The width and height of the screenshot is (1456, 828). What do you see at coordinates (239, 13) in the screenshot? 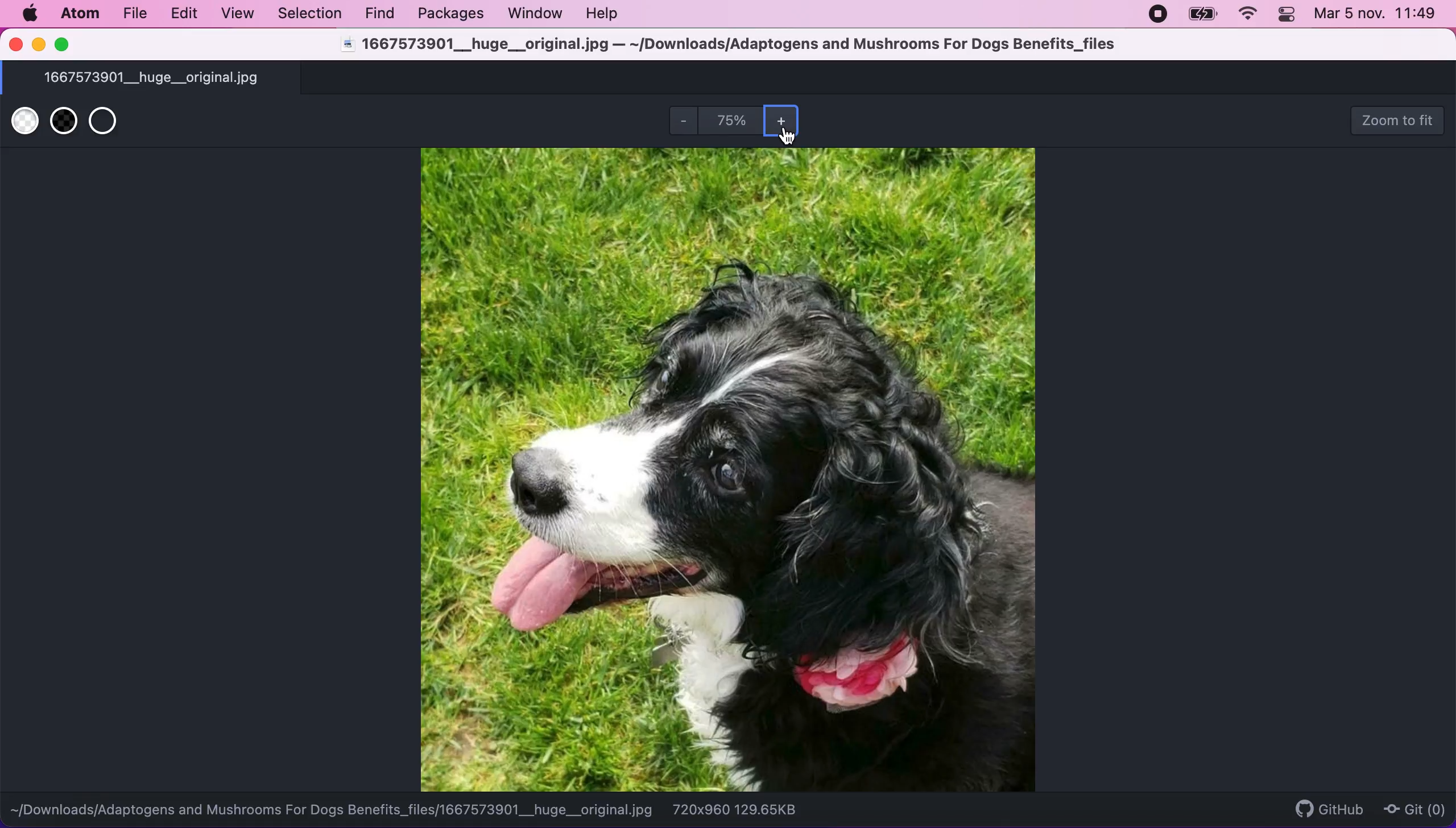
I see `view` at bounding box center [239, 13].